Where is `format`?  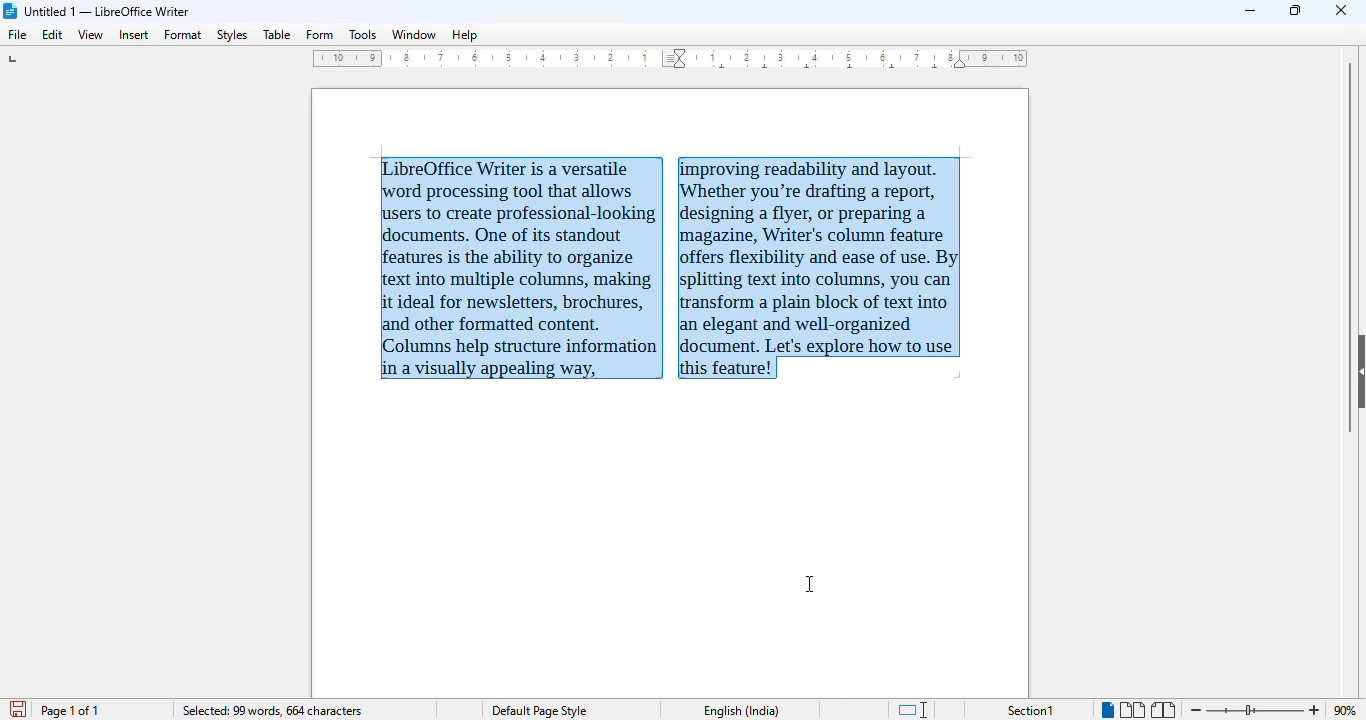 format is located at coordinates (183, 35).